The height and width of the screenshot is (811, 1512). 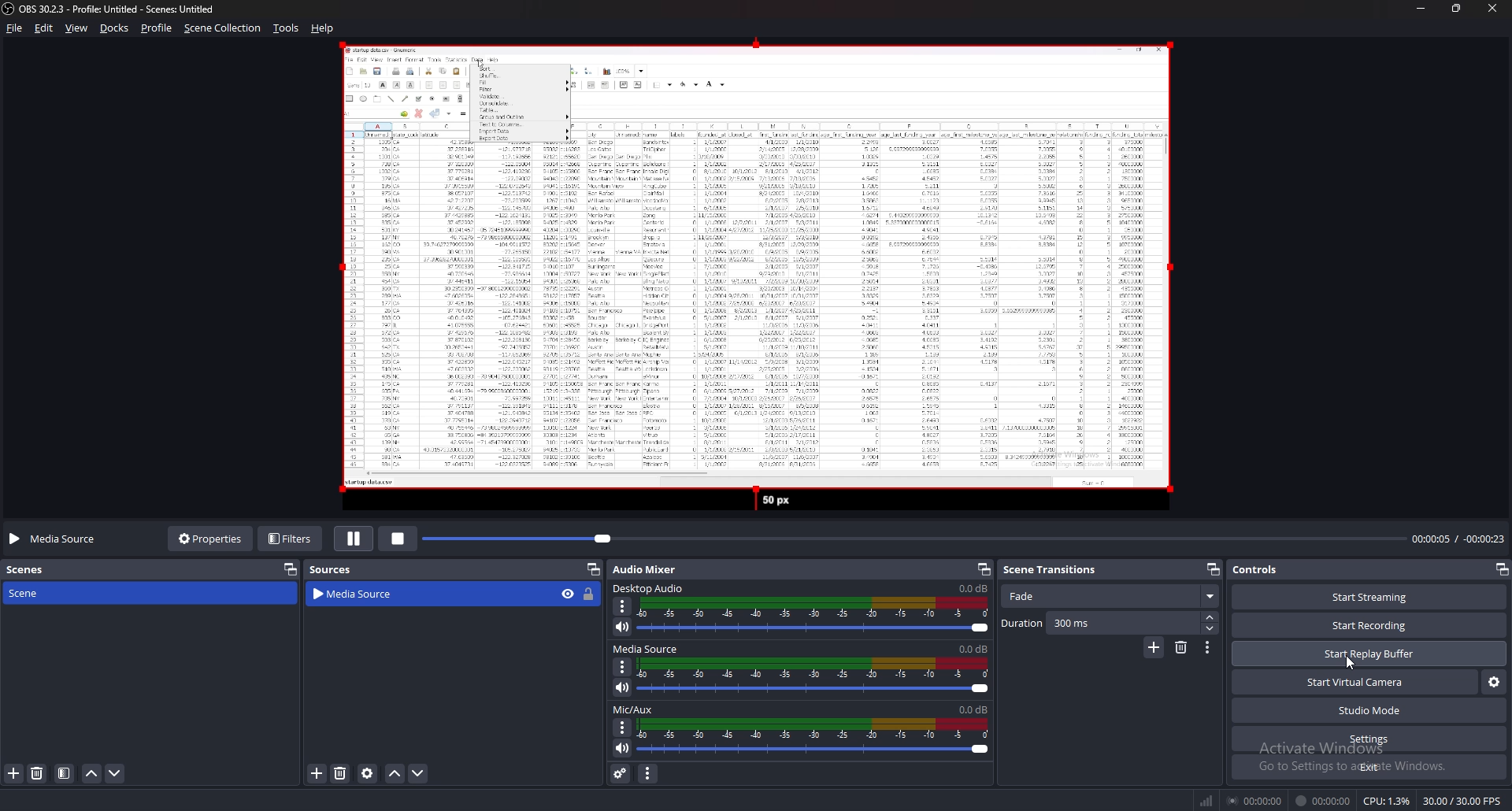 I want to click on mute, so click(x=623, y=687).